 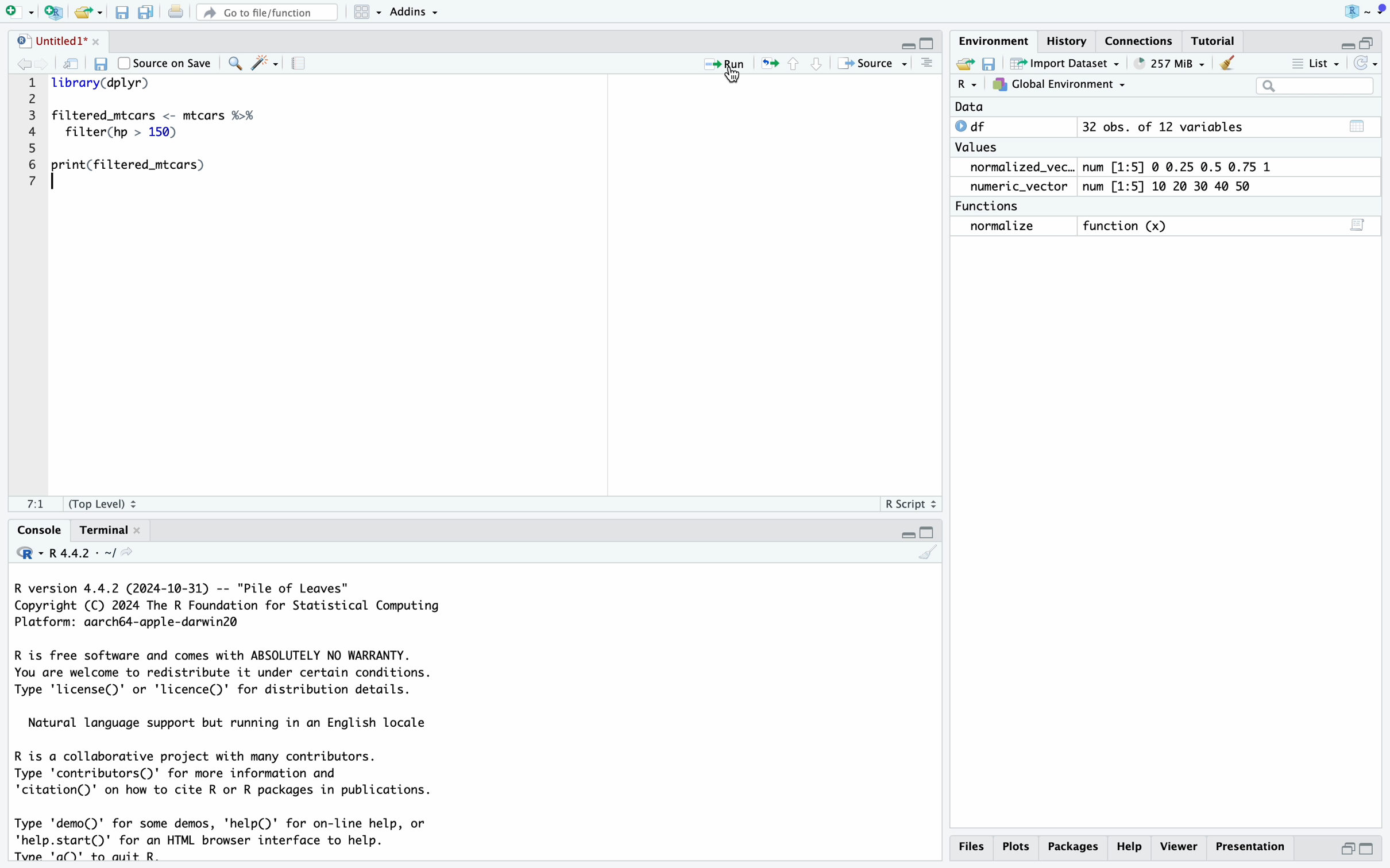 What do you see at coordinates (731, 79) in the screenshot?
I see `cursor` at bounding box center [731, 79].